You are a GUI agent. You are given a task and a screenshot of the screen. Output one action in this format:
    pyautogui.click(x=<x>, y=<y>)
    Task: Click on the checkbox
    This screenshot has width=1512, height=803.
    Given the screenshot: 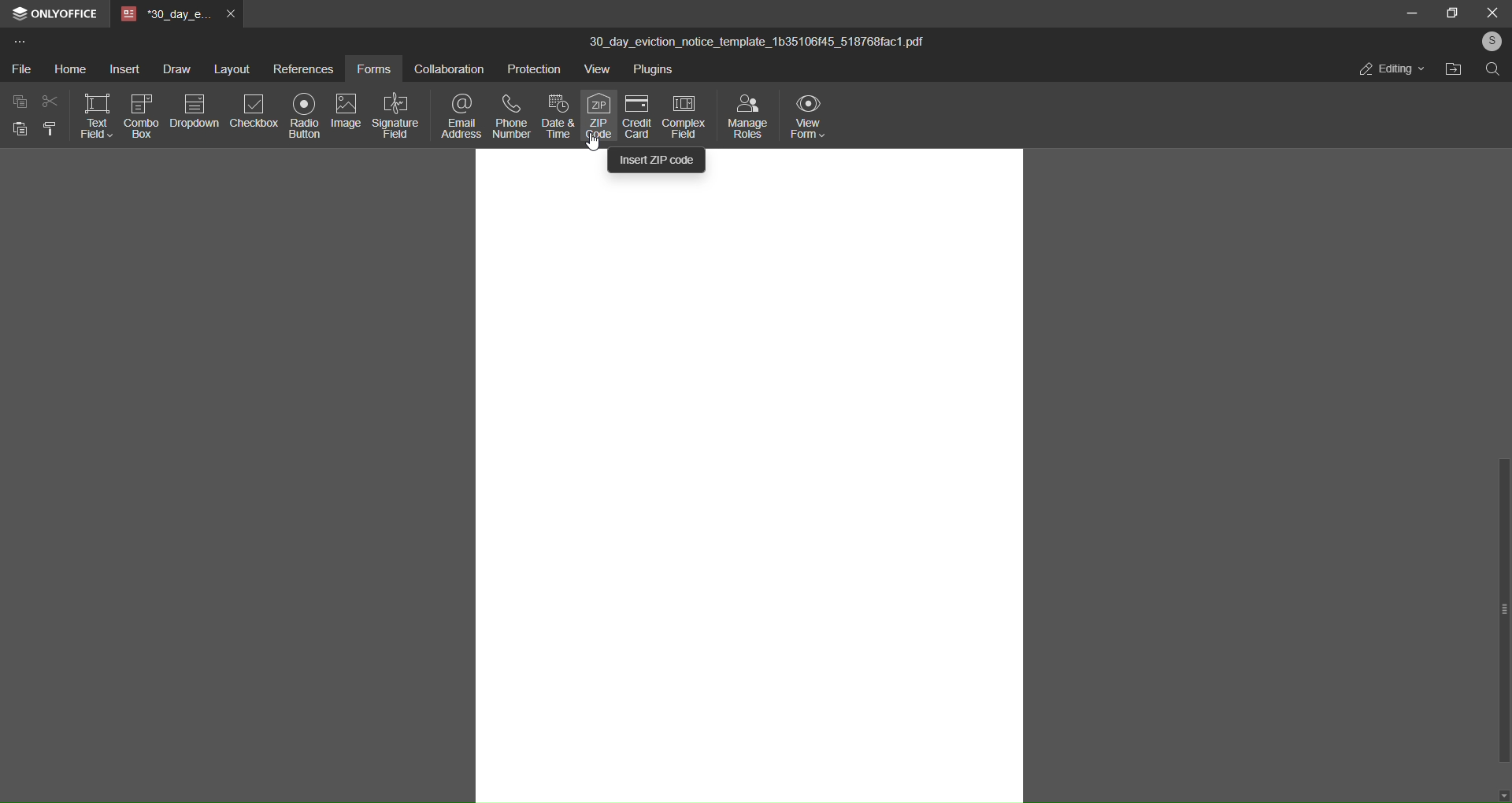 What is the action you would take?
    pyautogui.click(x=254, y=110)
    